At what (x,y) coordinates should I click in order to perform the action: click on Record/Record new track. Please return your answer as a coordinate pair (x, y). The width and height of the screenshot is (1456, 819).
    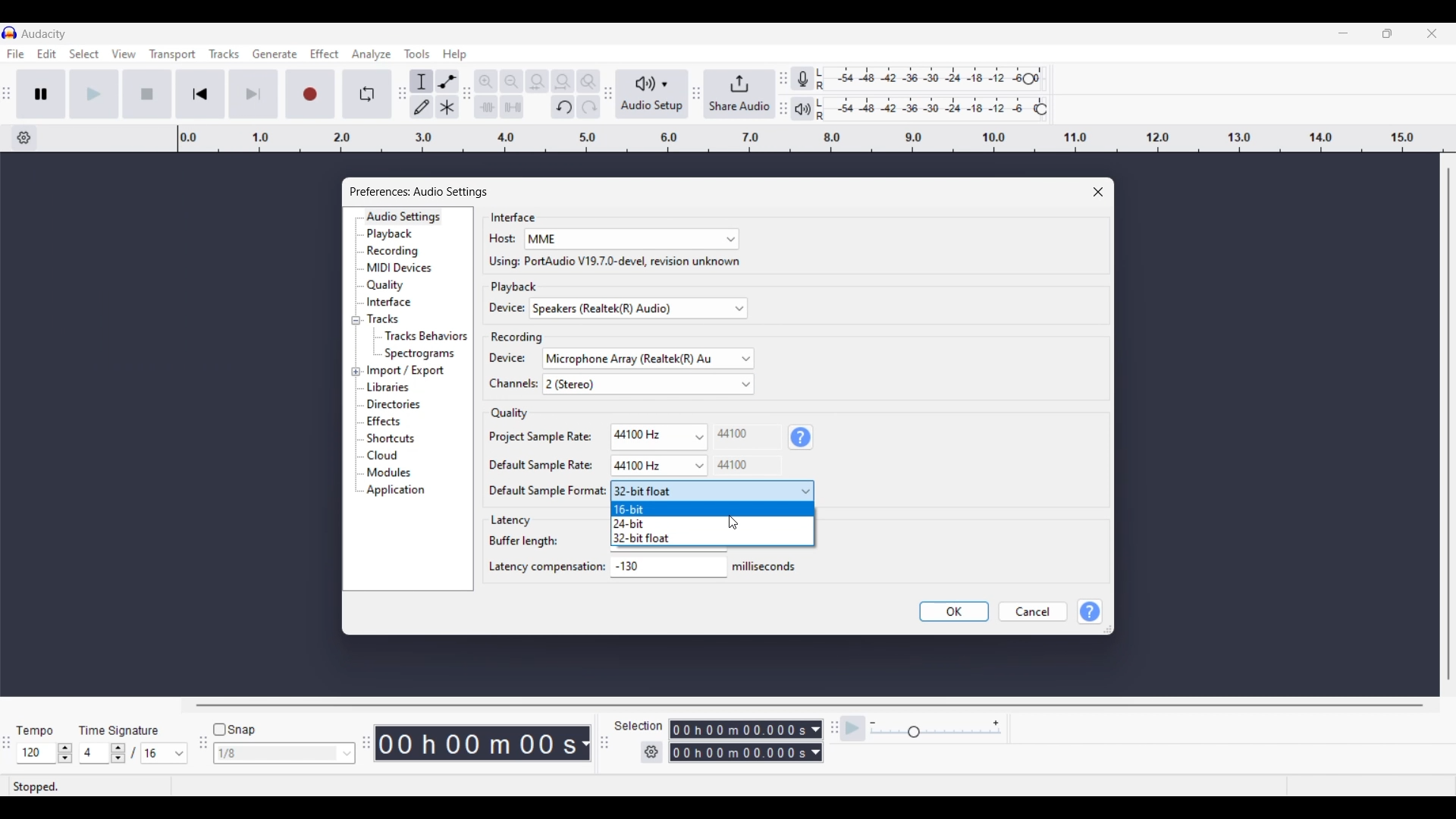
    Looking at the image, I should click on (311, 93).